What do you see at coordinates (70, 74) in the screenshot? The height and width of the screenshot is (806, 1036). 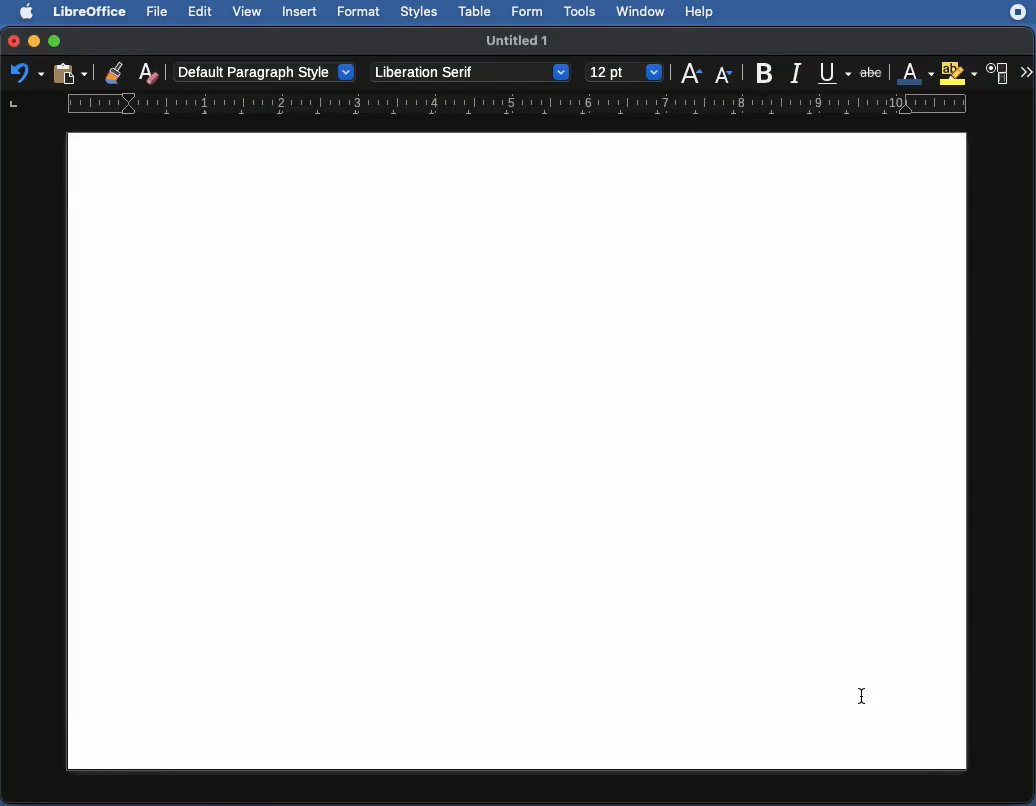 I see `clipboard` at bounding box center [70, 74].